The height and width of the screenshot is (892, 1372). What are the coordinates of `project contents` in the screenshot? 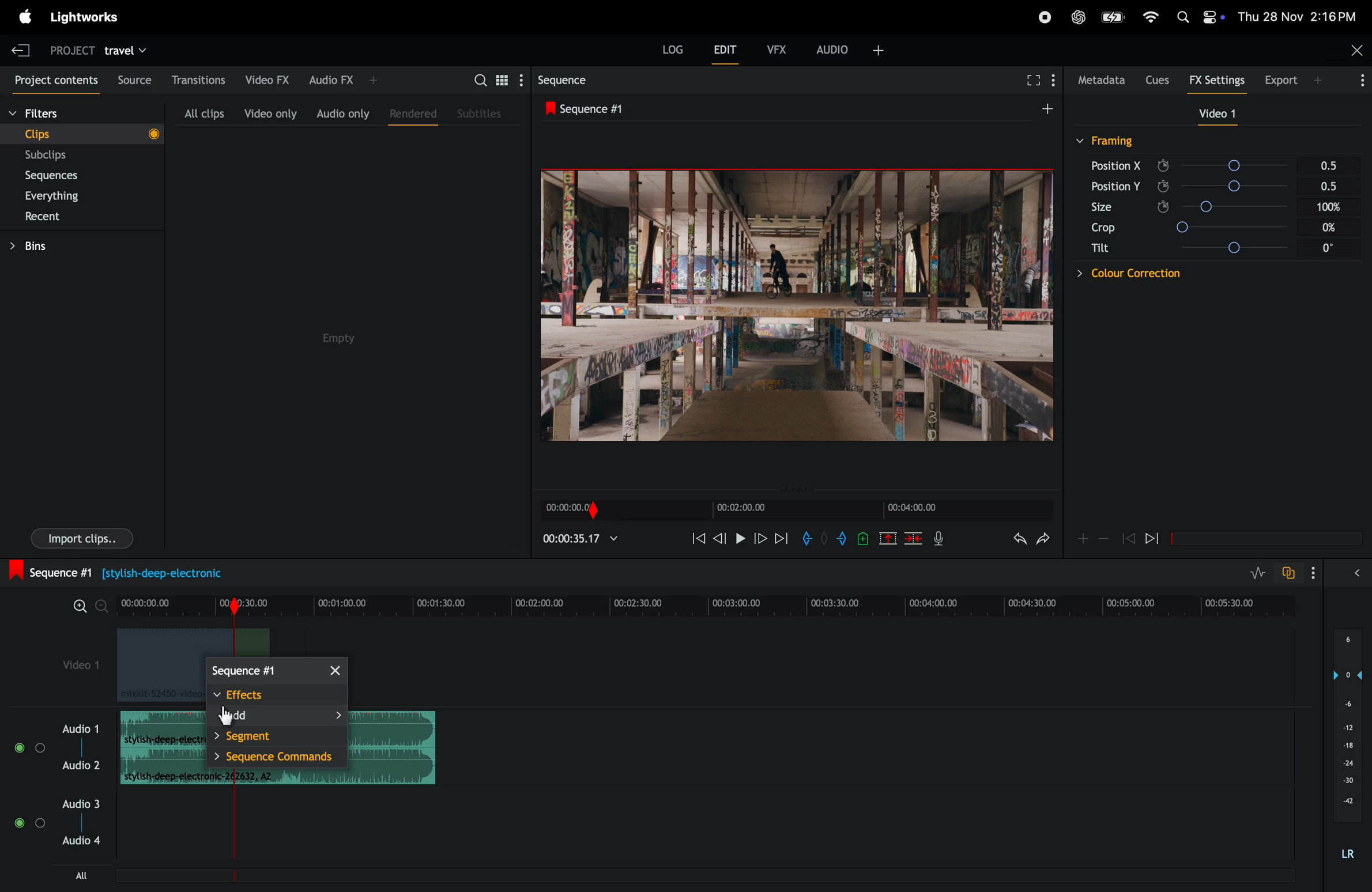 It's located at (54, 81).